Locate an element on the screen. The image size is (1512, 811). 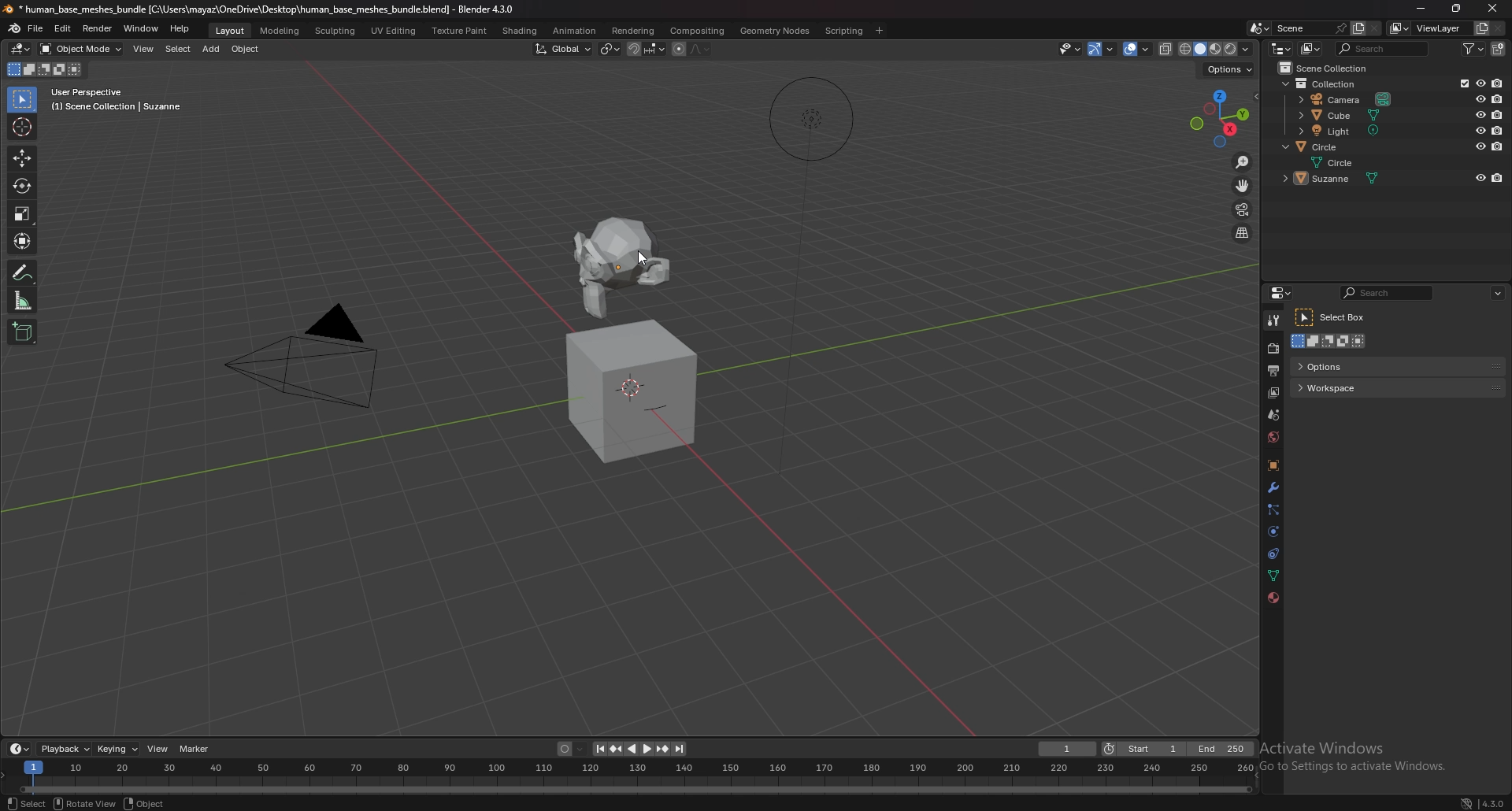
object is located at coordinates (247, 48).